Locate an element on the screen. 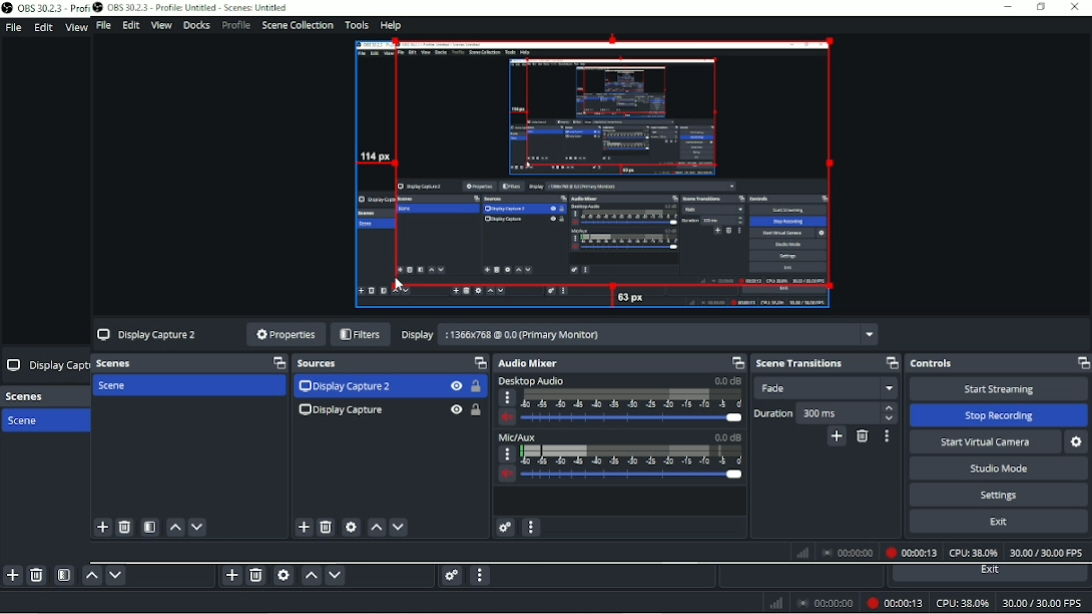 This screenshot has height=614, width=1092. Scene is located at coordinates (42, 421).